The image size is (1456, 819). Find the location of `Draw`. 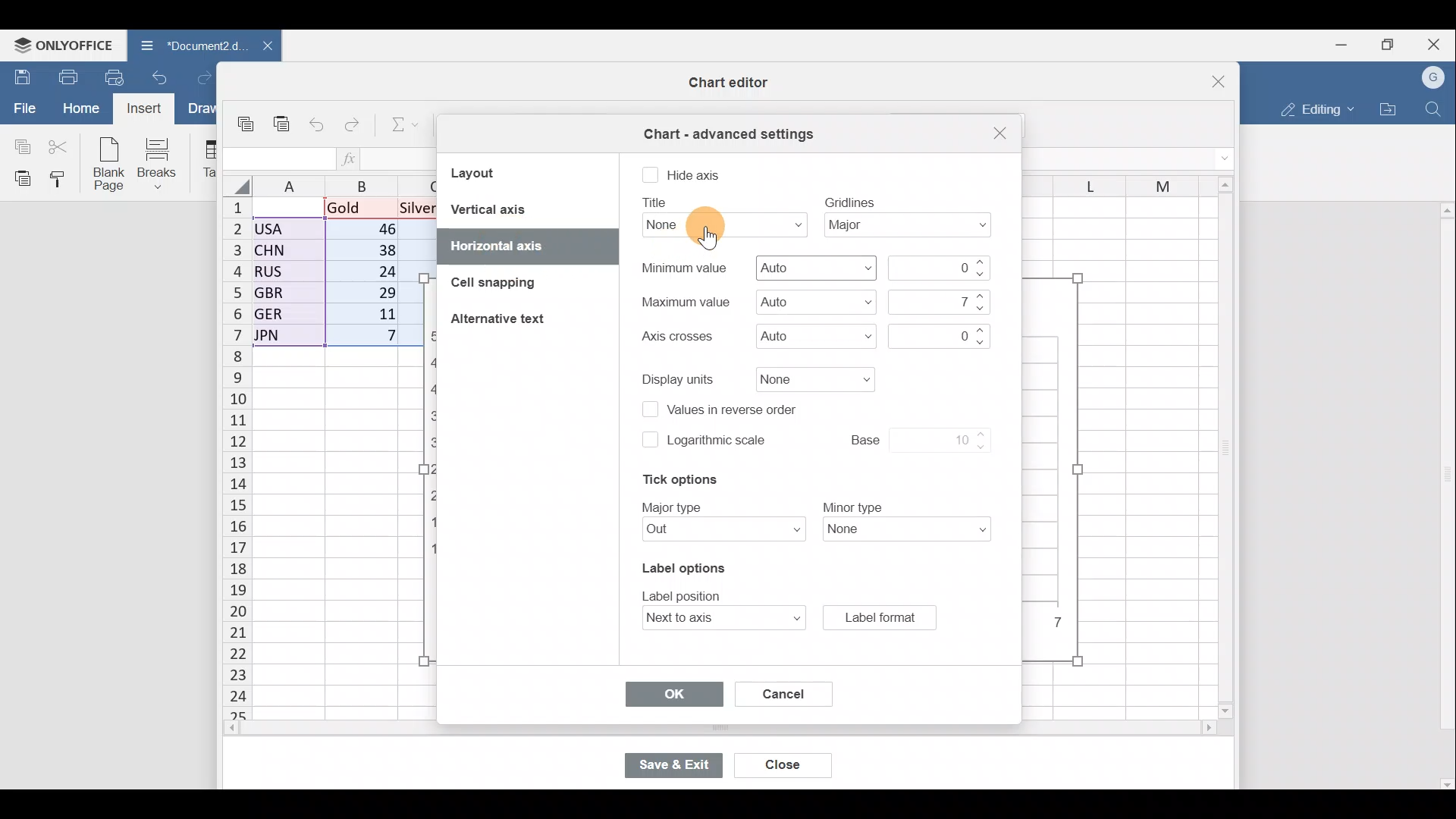

Draw is located at coordinates (202, 108).